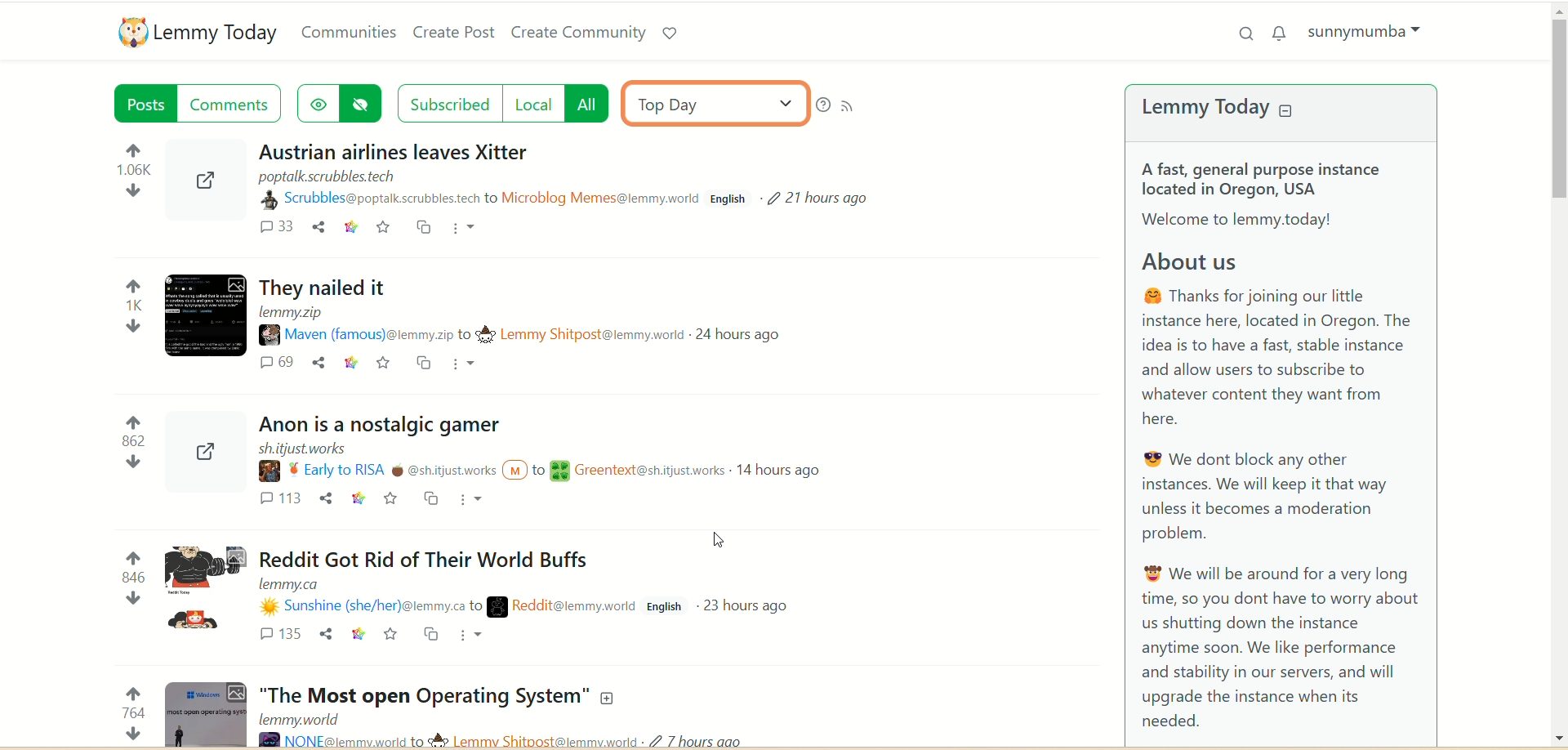 This screenshot has height=750, width=1568. Describe the element at coordinates (1558, 376) in the screenshot. I see `vertical scroll bar` at that location.